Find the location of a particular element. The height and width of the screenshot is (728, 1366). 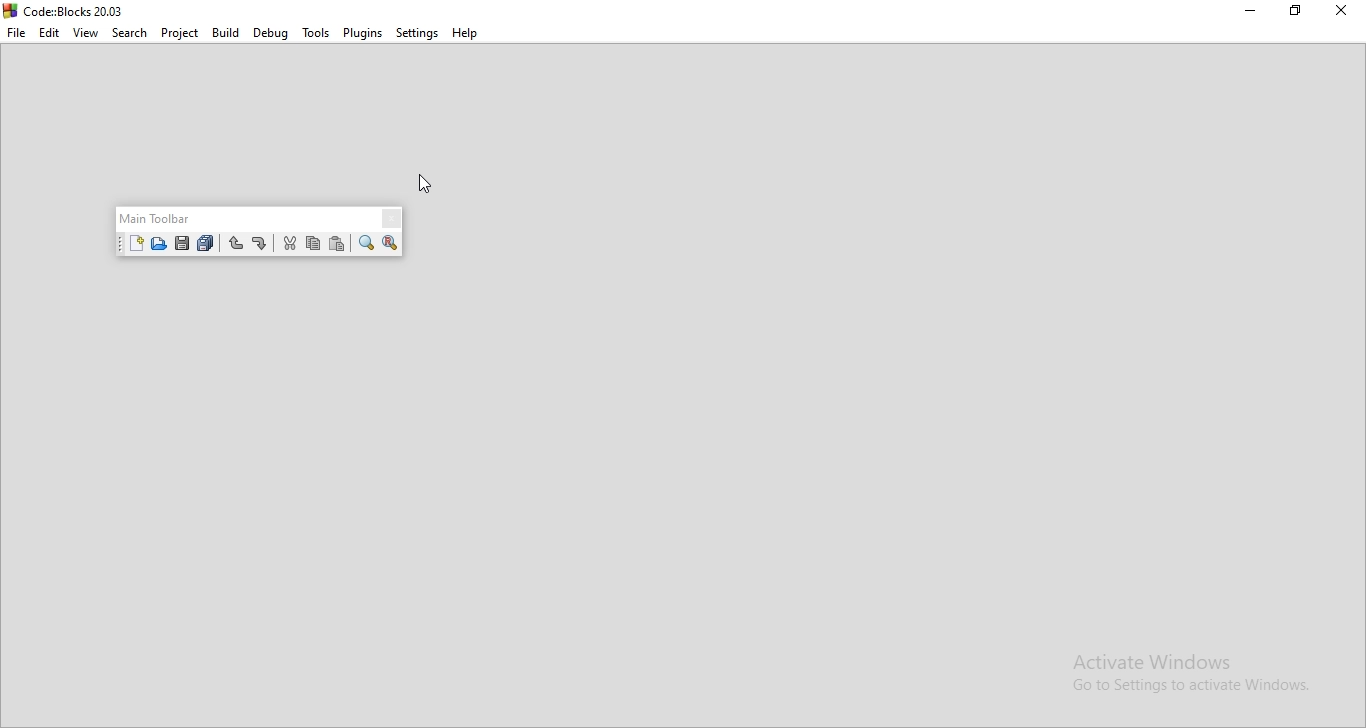

Maximize is located at coordinates (1298, 12).